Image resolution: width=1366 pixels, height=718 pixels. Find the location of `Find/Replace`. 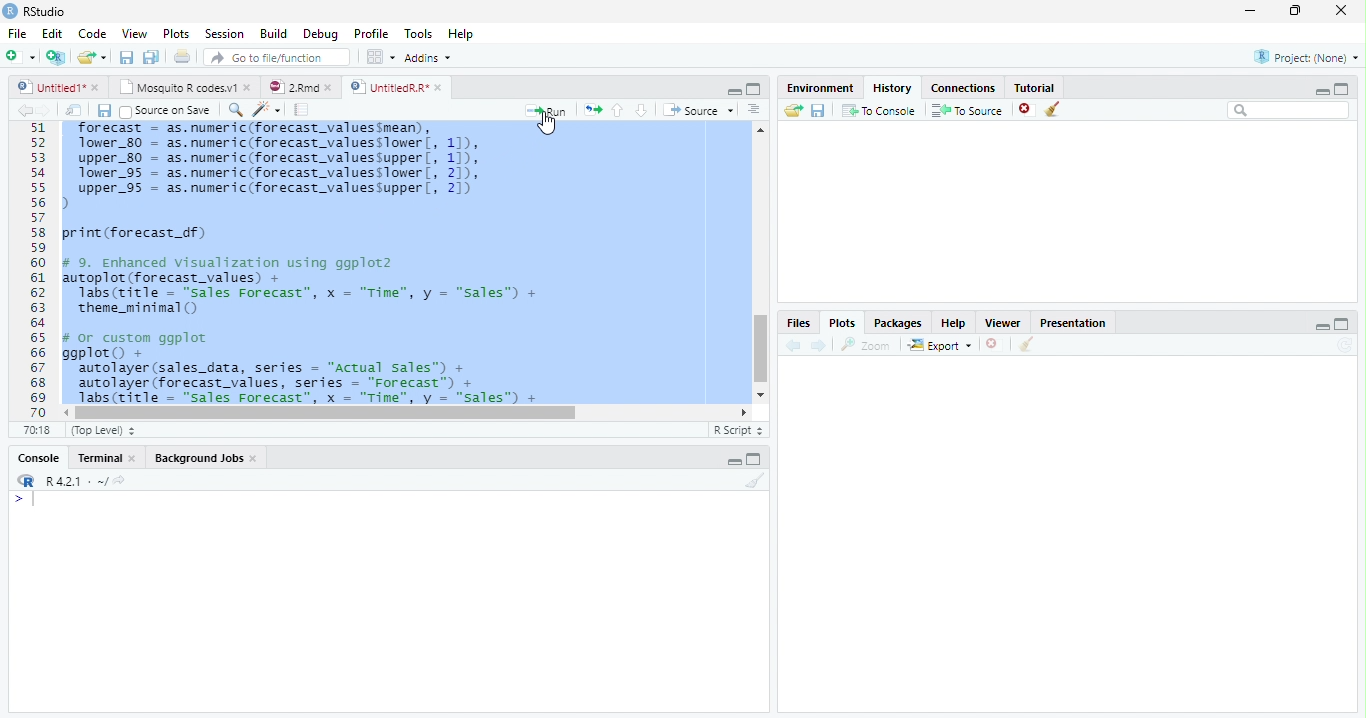

Find/Replace is located at coordinates (233, 110).